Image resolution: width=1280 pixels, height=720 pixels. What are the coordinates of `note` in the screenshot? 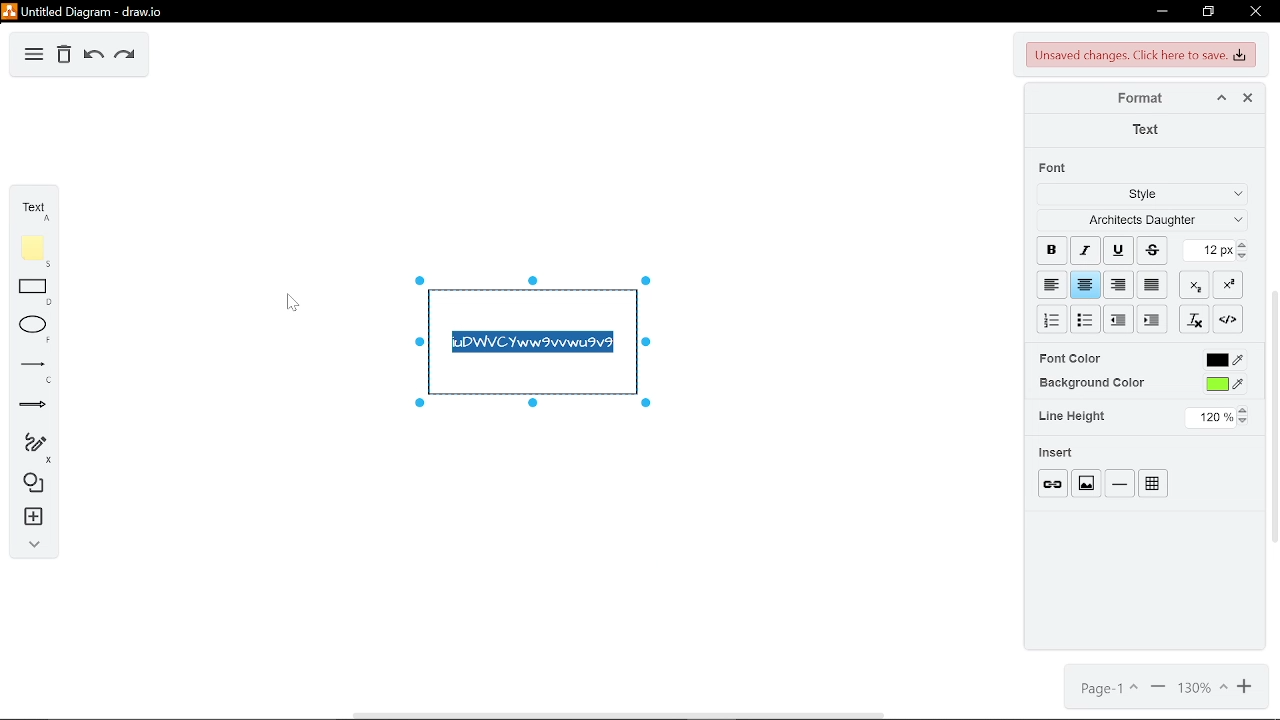 It's located at (29, 248).